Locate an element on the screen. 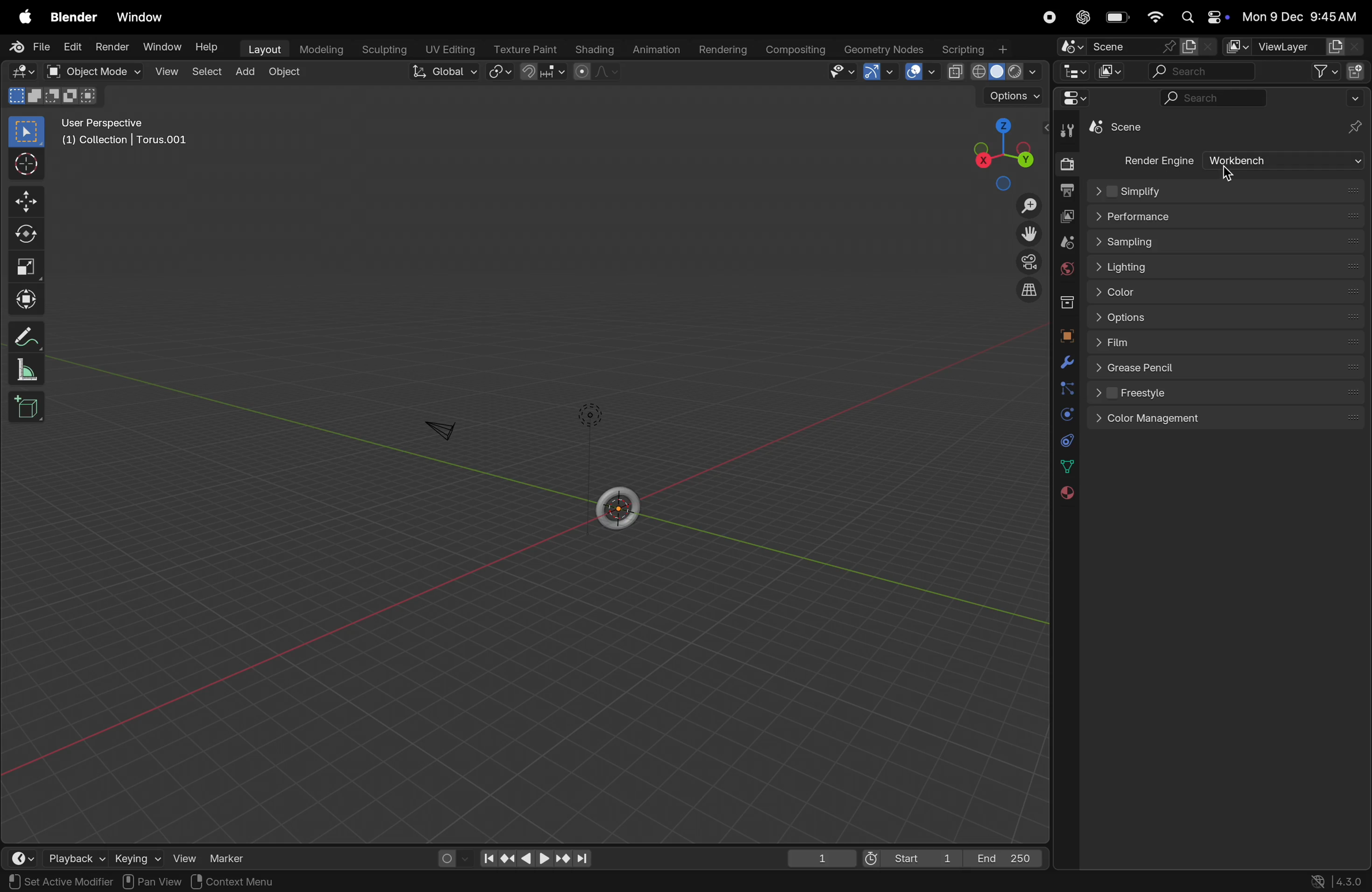 This screenshot has height=892, width=1372. camera perspective is located at coordinates (1026, 261).